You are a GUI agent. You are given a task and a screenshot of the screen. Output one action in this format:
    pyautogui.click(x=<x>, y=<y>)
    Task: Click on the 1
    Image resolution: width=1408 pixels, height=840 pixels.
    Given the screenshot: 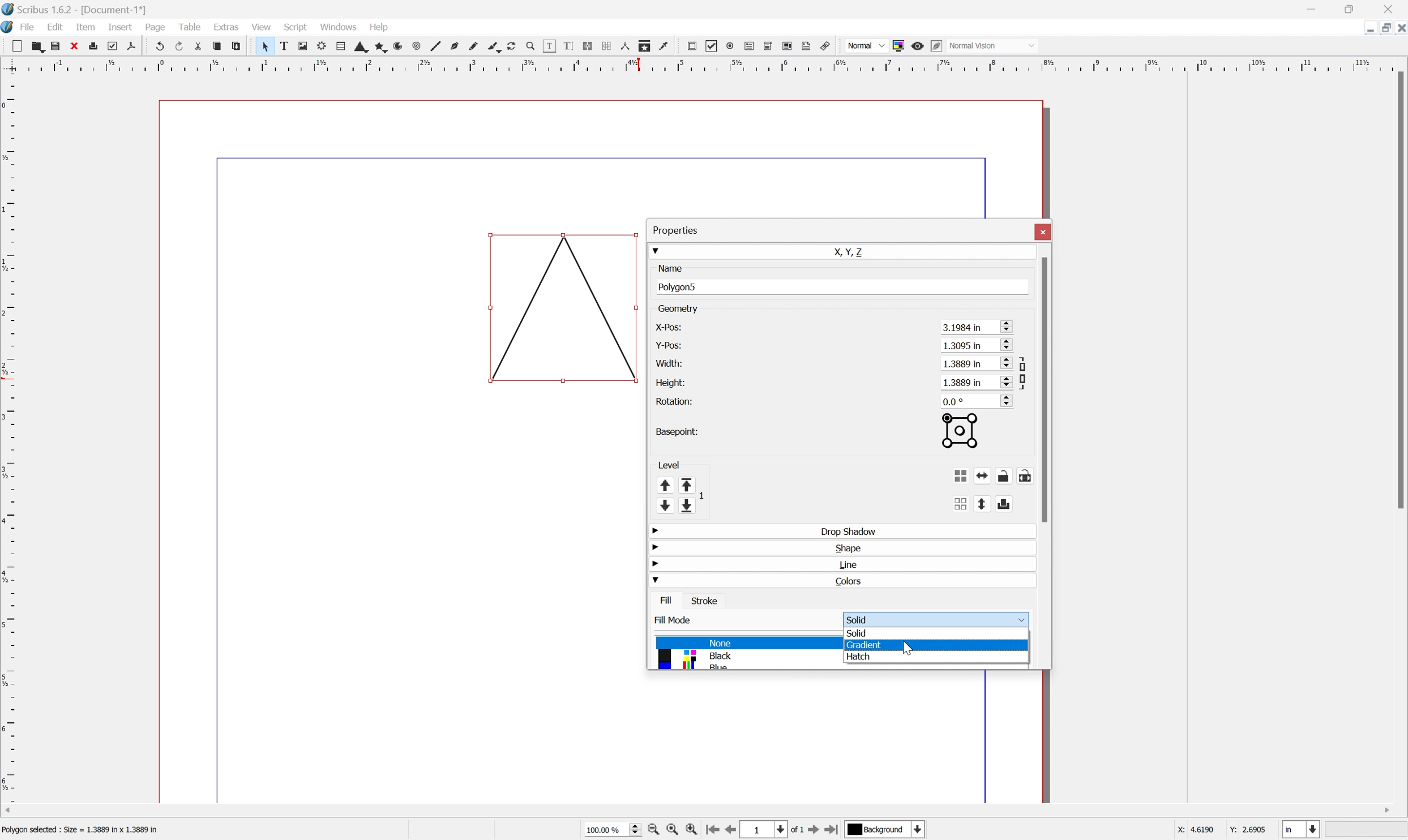 What is the action you would take?
    pyautogui.click(x=757, y=830)
    